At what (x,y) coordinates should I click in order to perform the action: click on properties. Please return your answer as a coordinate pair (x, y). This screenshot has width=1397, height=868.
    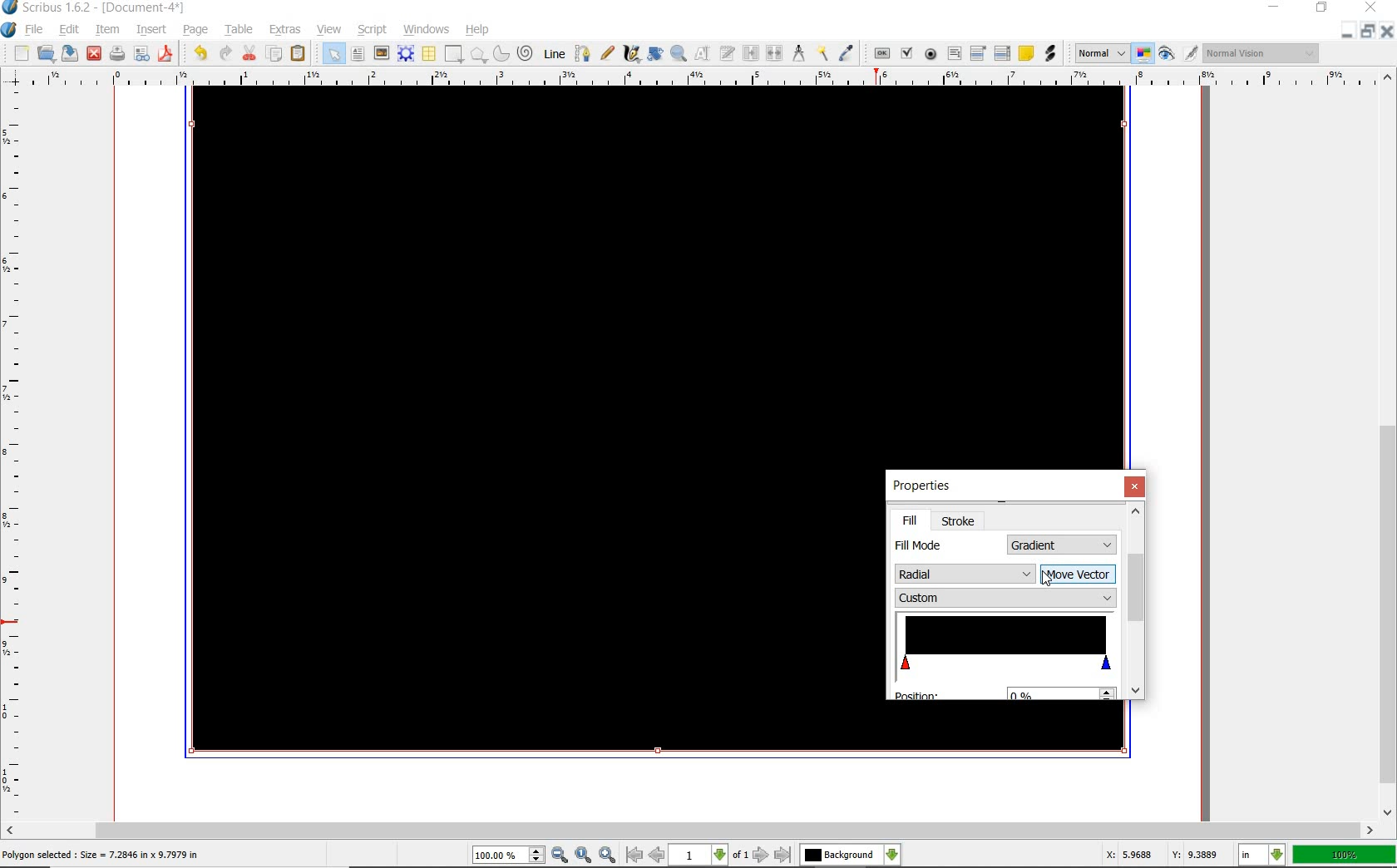
    Looking at the image, I should click on (923, 488).